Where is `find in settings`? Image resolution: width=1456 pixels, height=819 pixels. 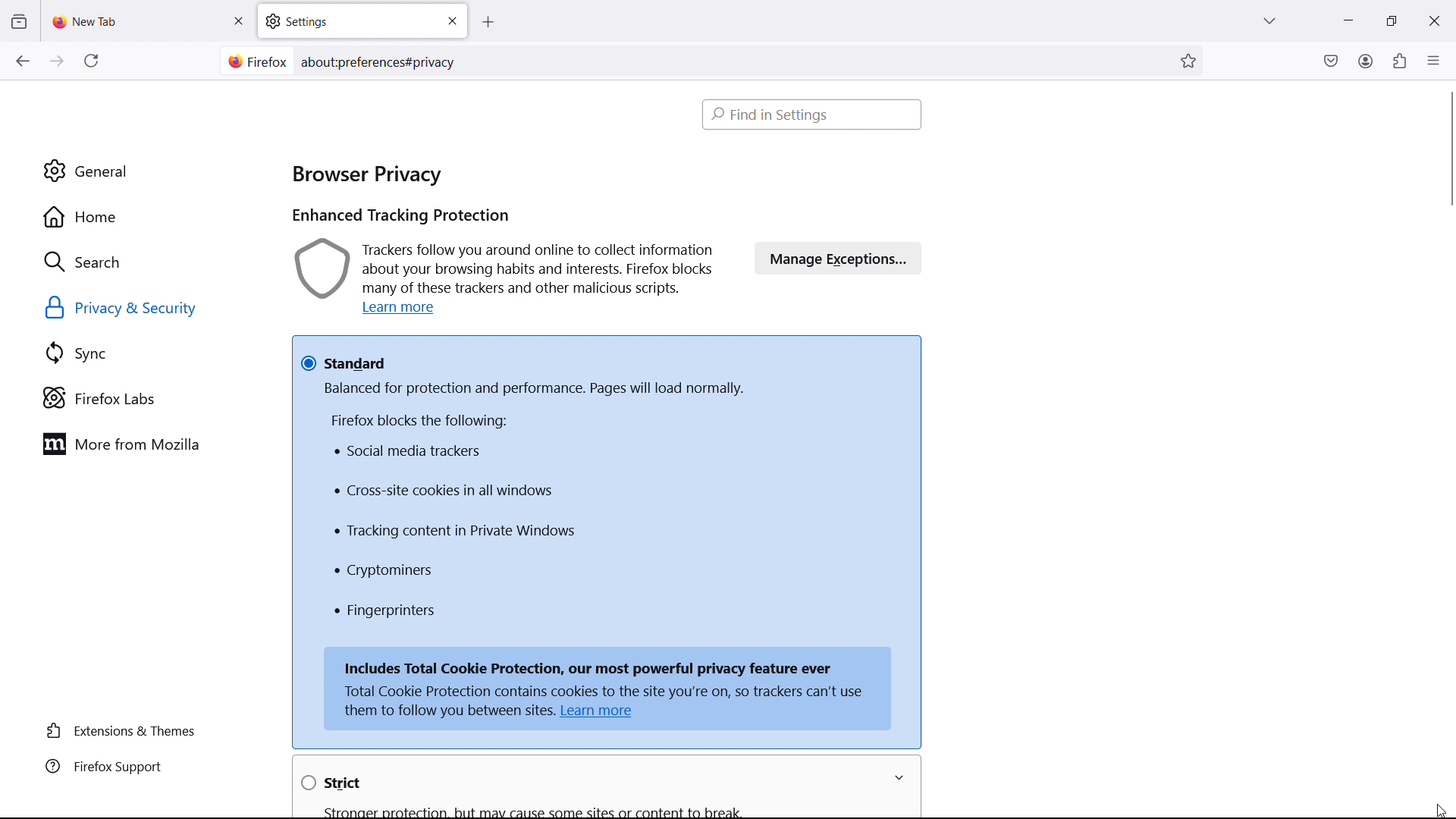
find in settings is located at coordinates (813, 114).